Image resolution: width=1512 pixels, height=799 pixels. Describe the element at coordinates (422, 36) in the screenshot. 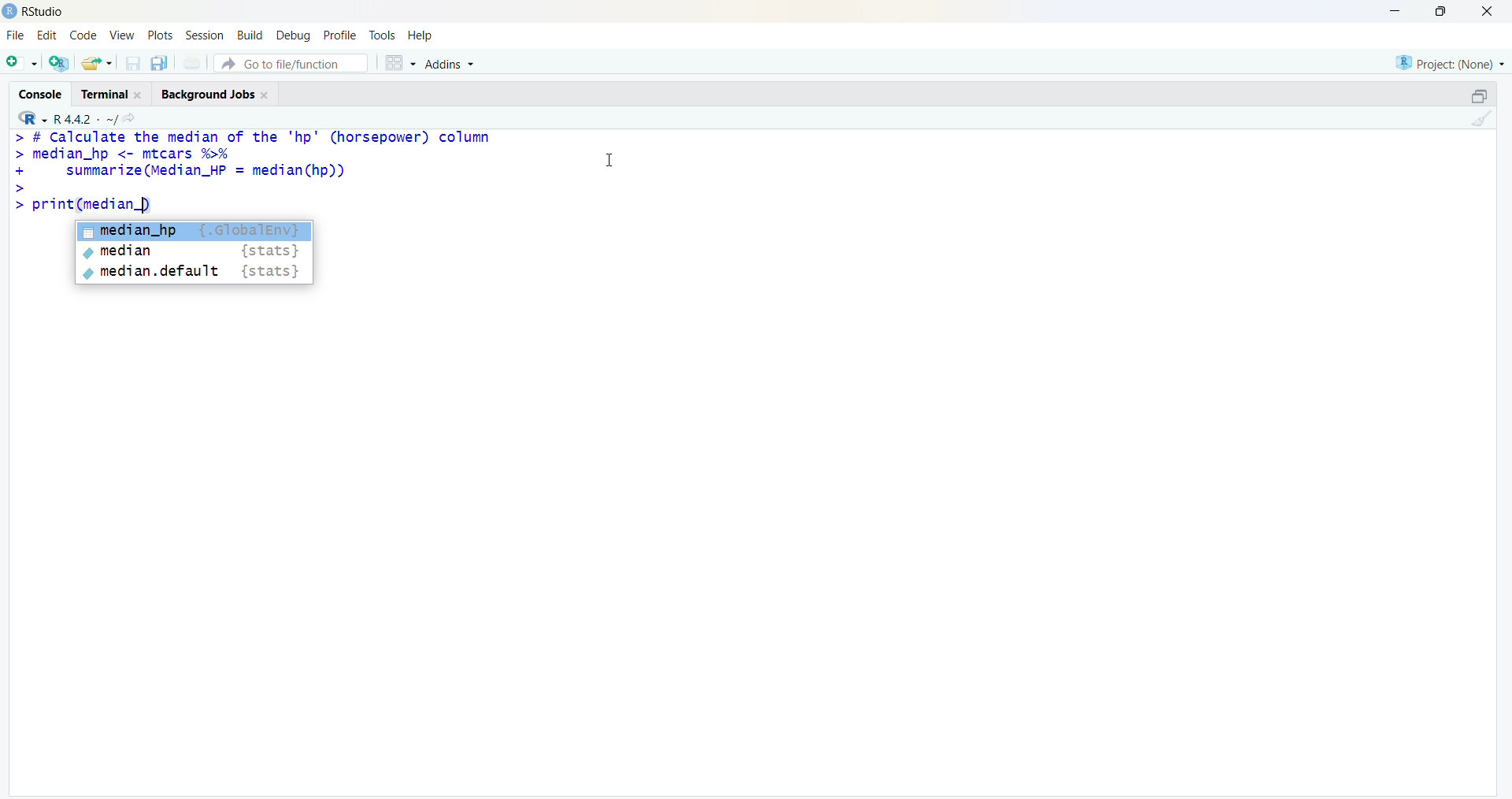

I see `help` at that location.